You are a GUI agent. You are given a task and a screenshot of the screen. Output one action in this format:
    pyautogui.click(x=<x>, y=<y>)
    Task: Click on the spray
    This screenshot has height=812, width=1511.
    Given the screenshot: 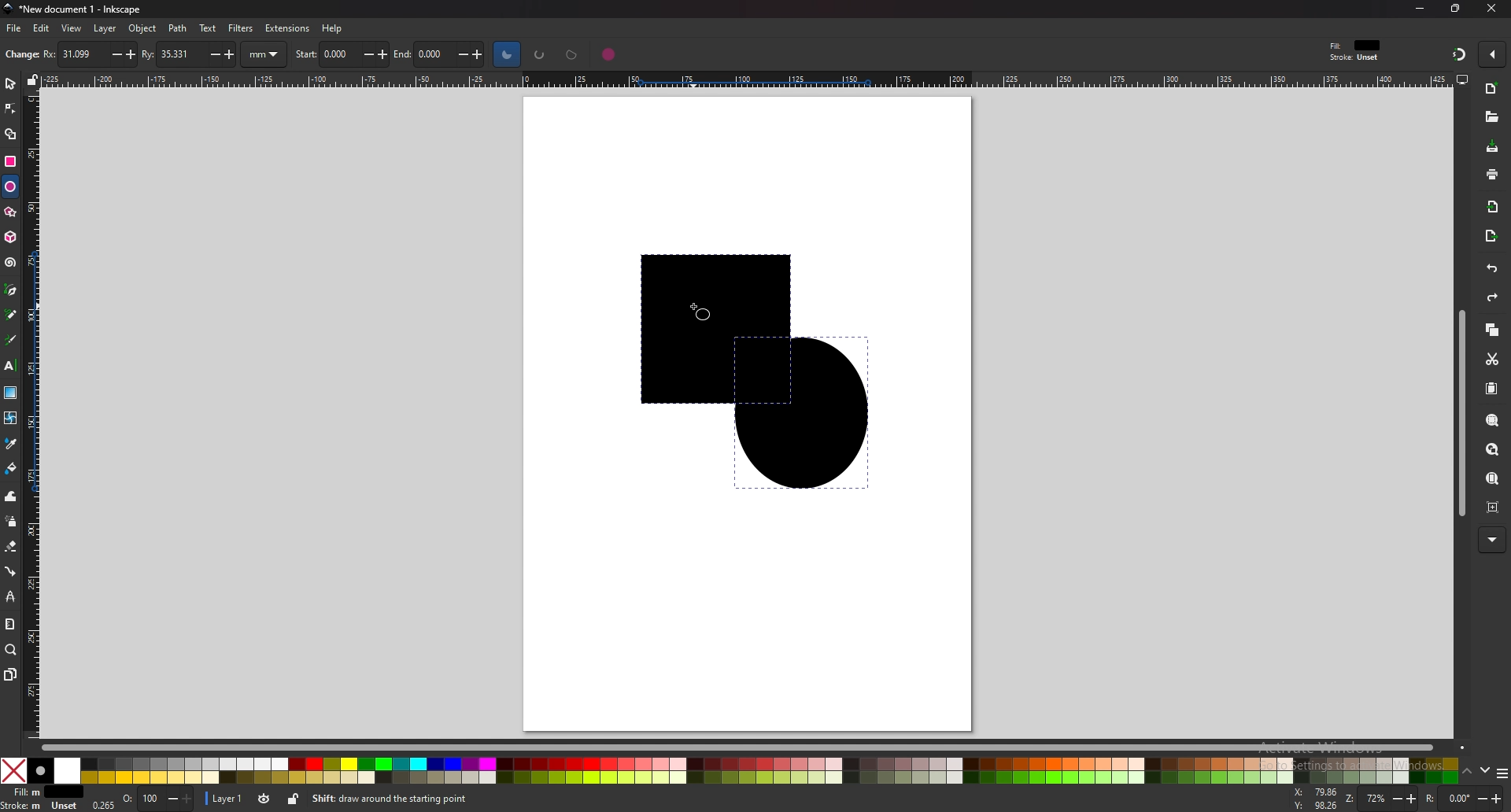 What is the action you would take?
    pyautogui.click(x=10, y=522)
    